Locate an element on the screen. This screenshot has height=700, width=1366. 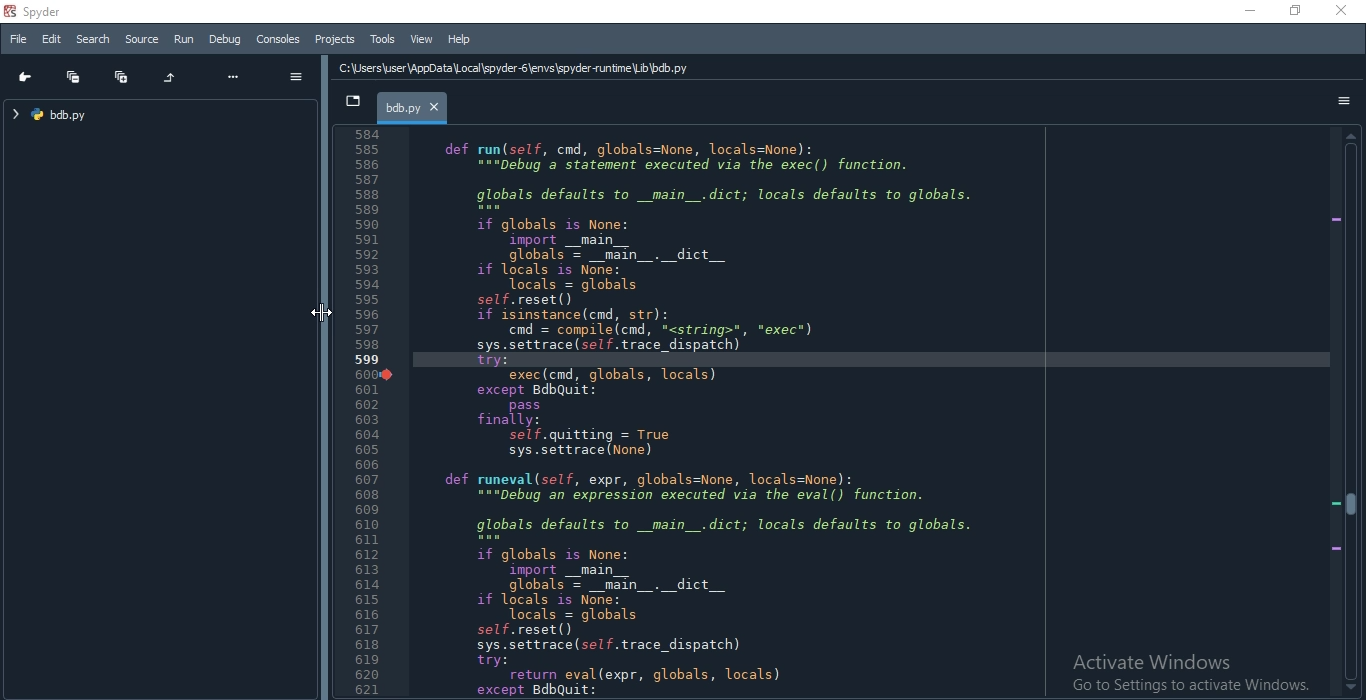
Edit is located at coordinates (53, 40).